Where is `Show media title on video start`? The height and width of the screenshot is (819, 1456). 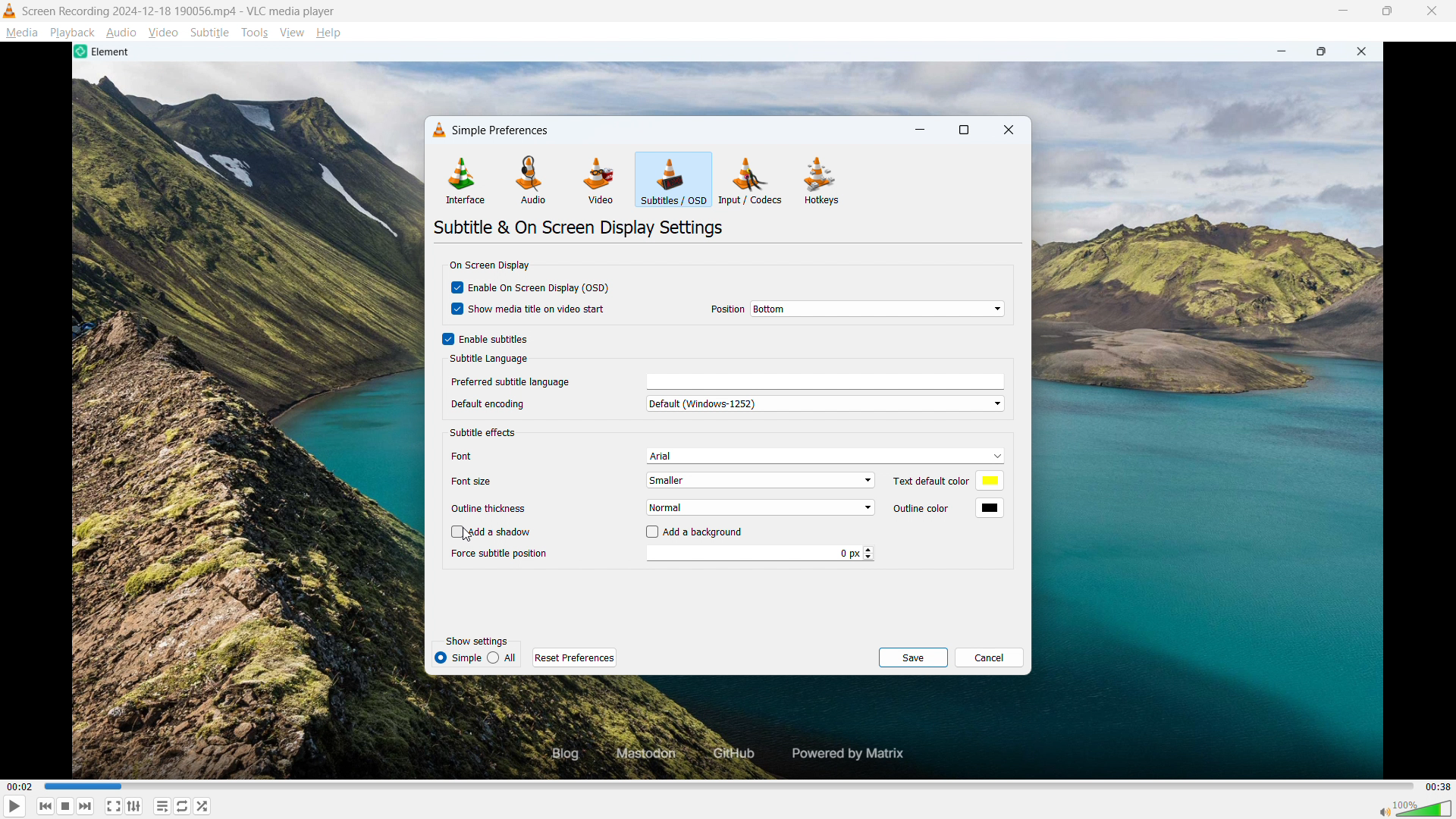 Show media title on video start is located at coordinates (539, 310).